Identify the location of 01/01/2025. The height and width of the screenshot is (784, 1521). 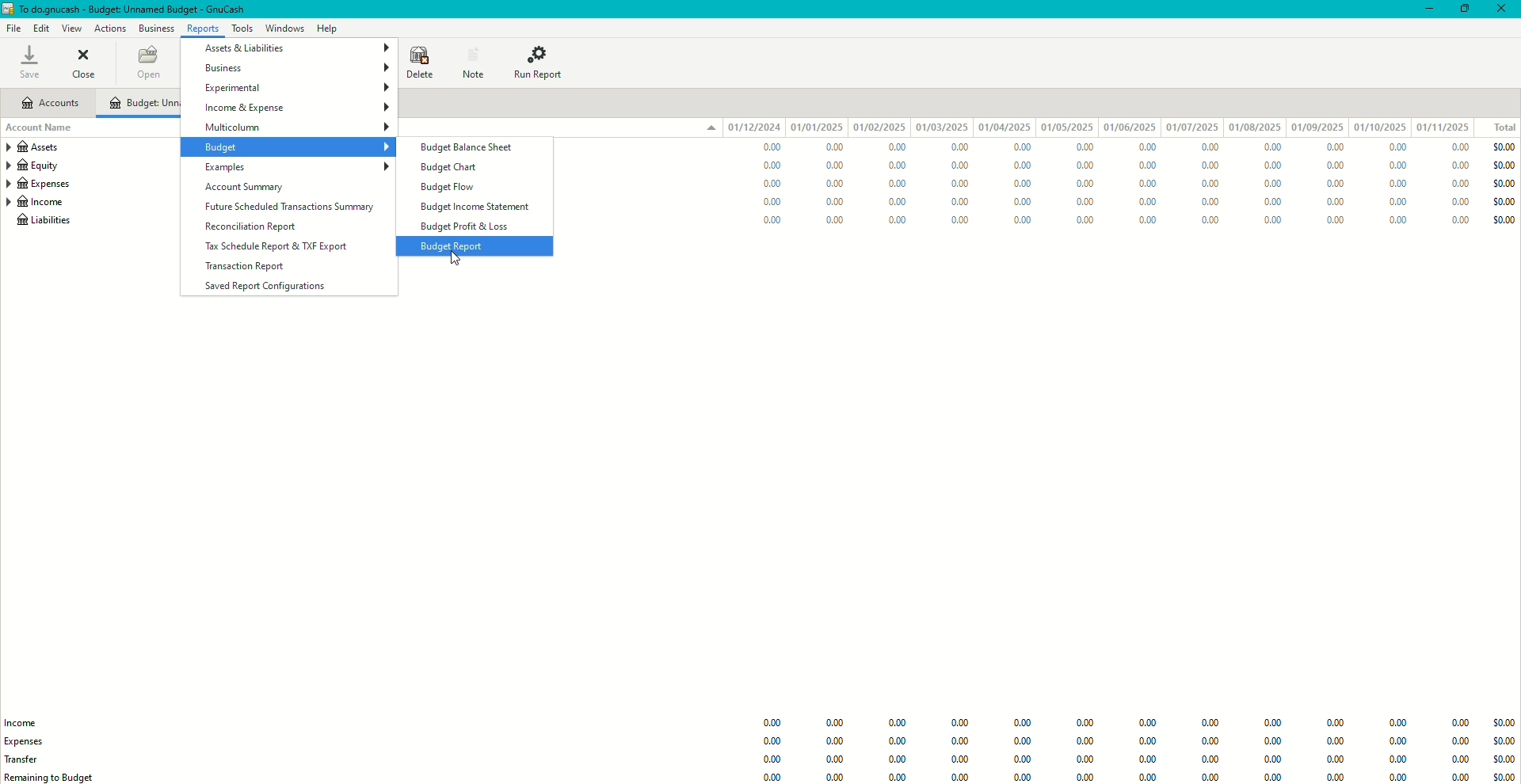
(818, 127).